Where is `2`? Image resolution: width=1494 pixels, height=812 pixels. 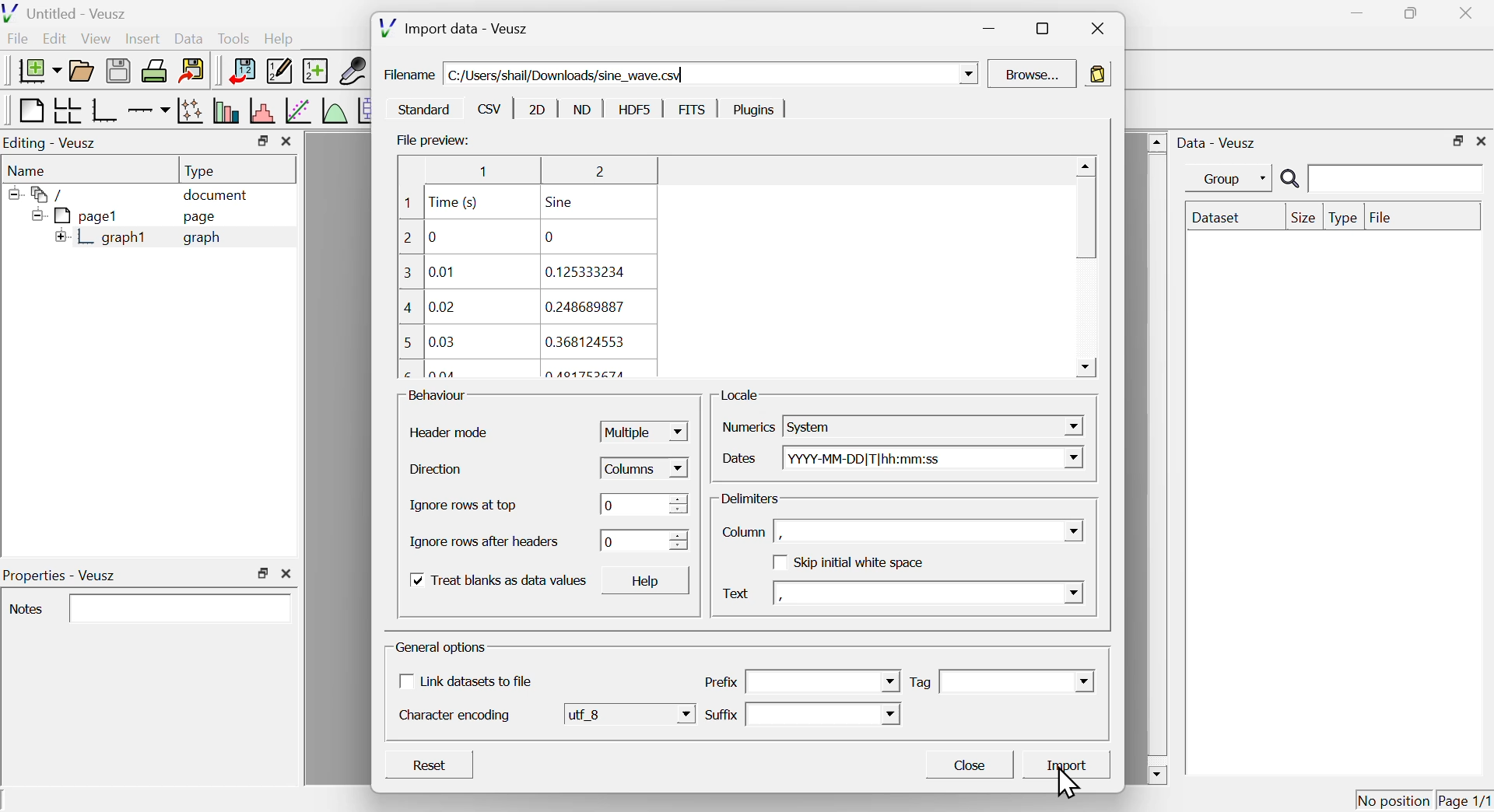 2 is located at coordinates (594, 173).